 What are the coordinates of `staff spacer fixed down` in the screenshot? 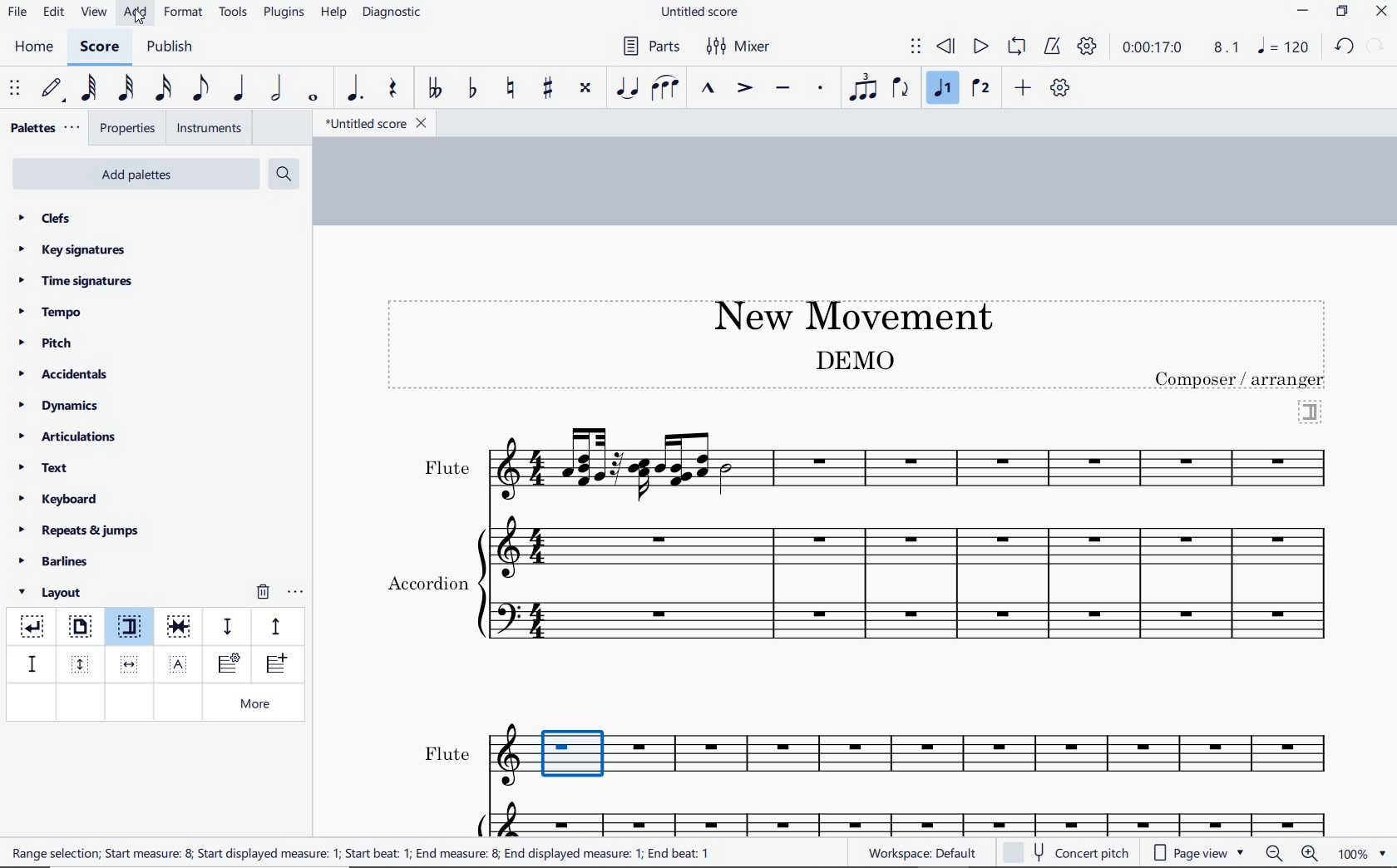 It's located at (30, 663).